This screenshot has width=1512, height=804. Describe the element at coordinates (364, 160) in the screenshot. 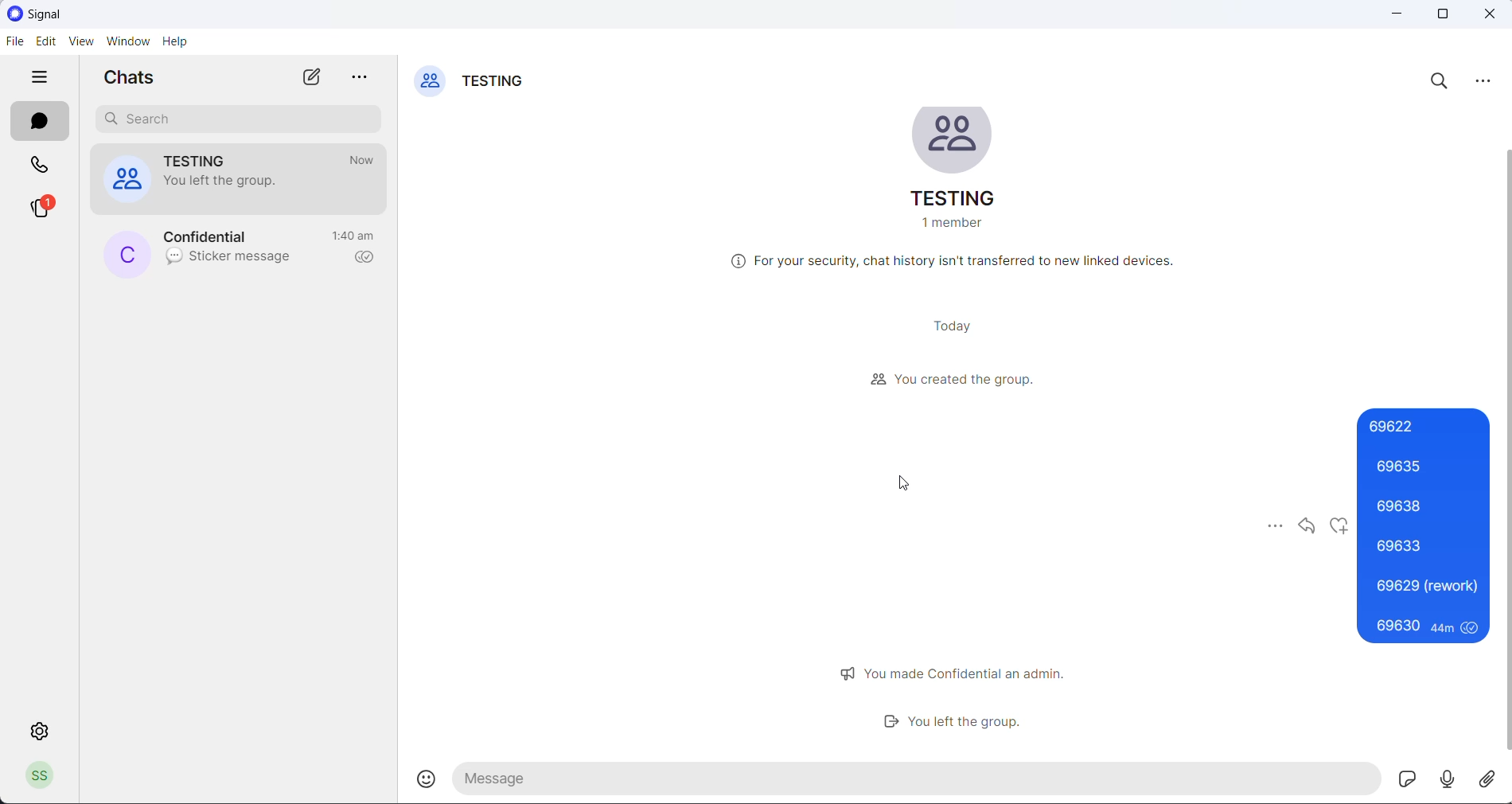

I see `last active time` at that location.